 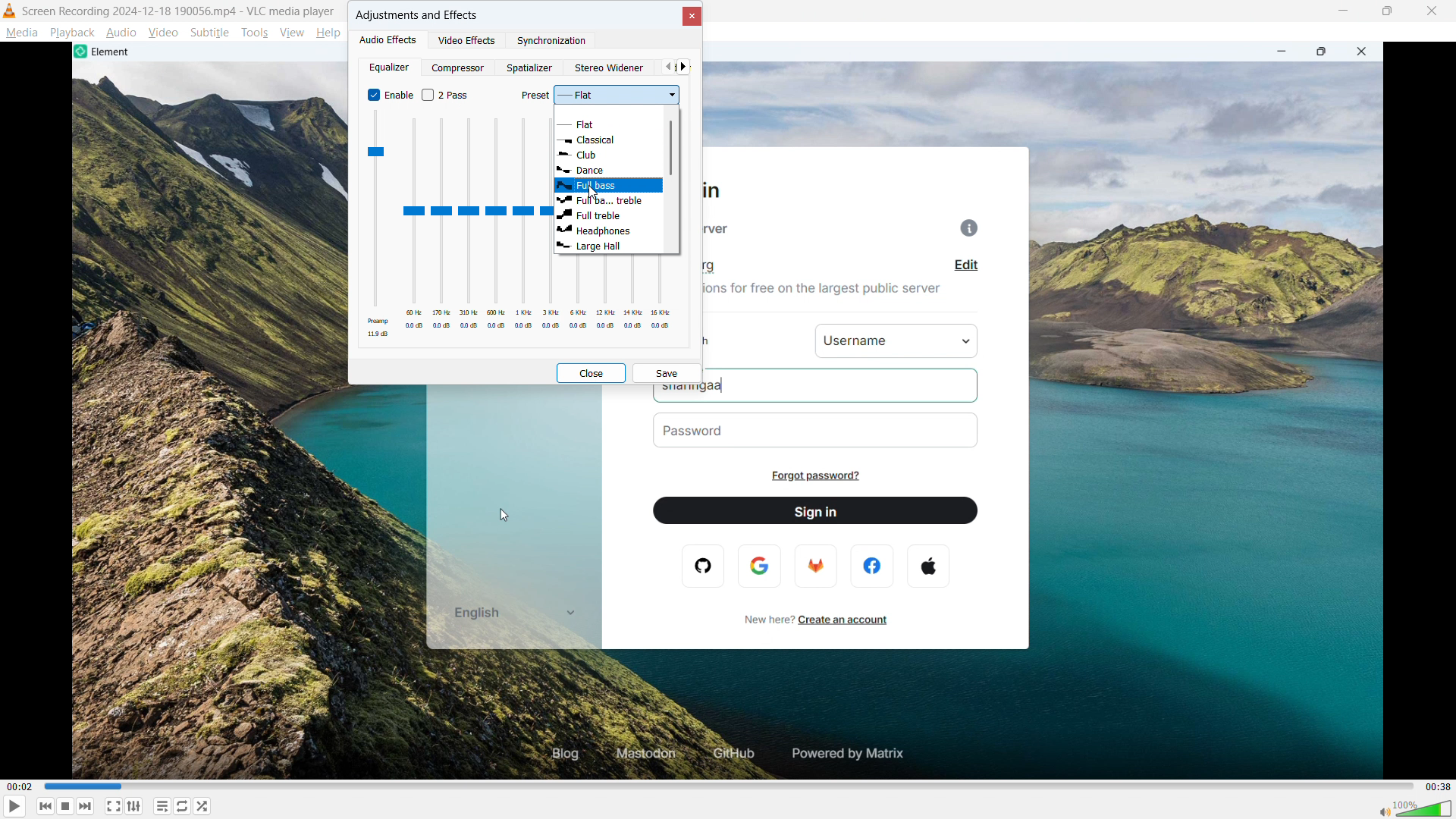 What do you see at coordinates (388, 67) in the screenshot?
I see `equaliser ` at bounding box center [388, 67].